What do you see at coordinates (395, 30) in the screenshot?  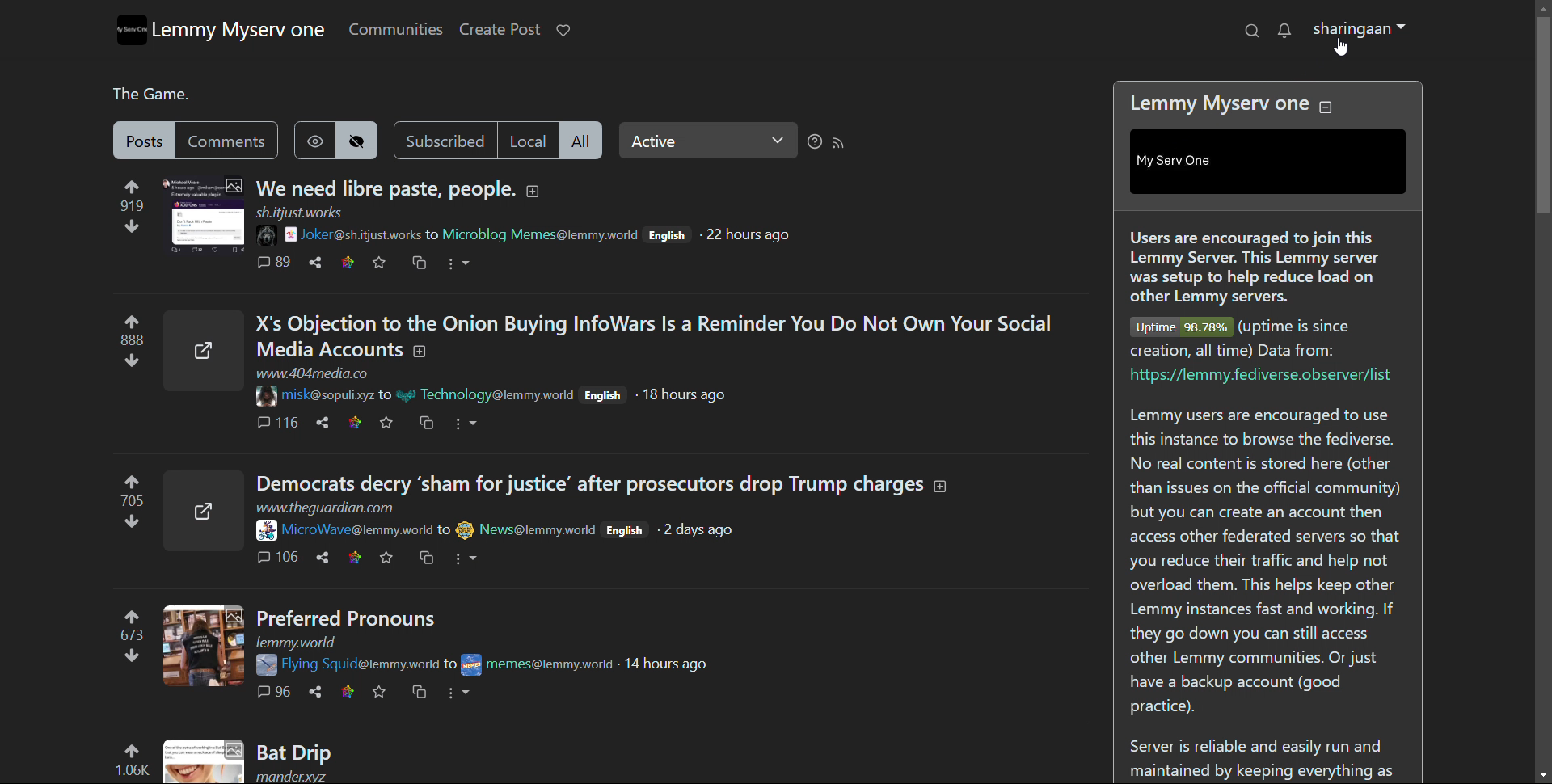 I see `communities` at bounding box center [395, 30].